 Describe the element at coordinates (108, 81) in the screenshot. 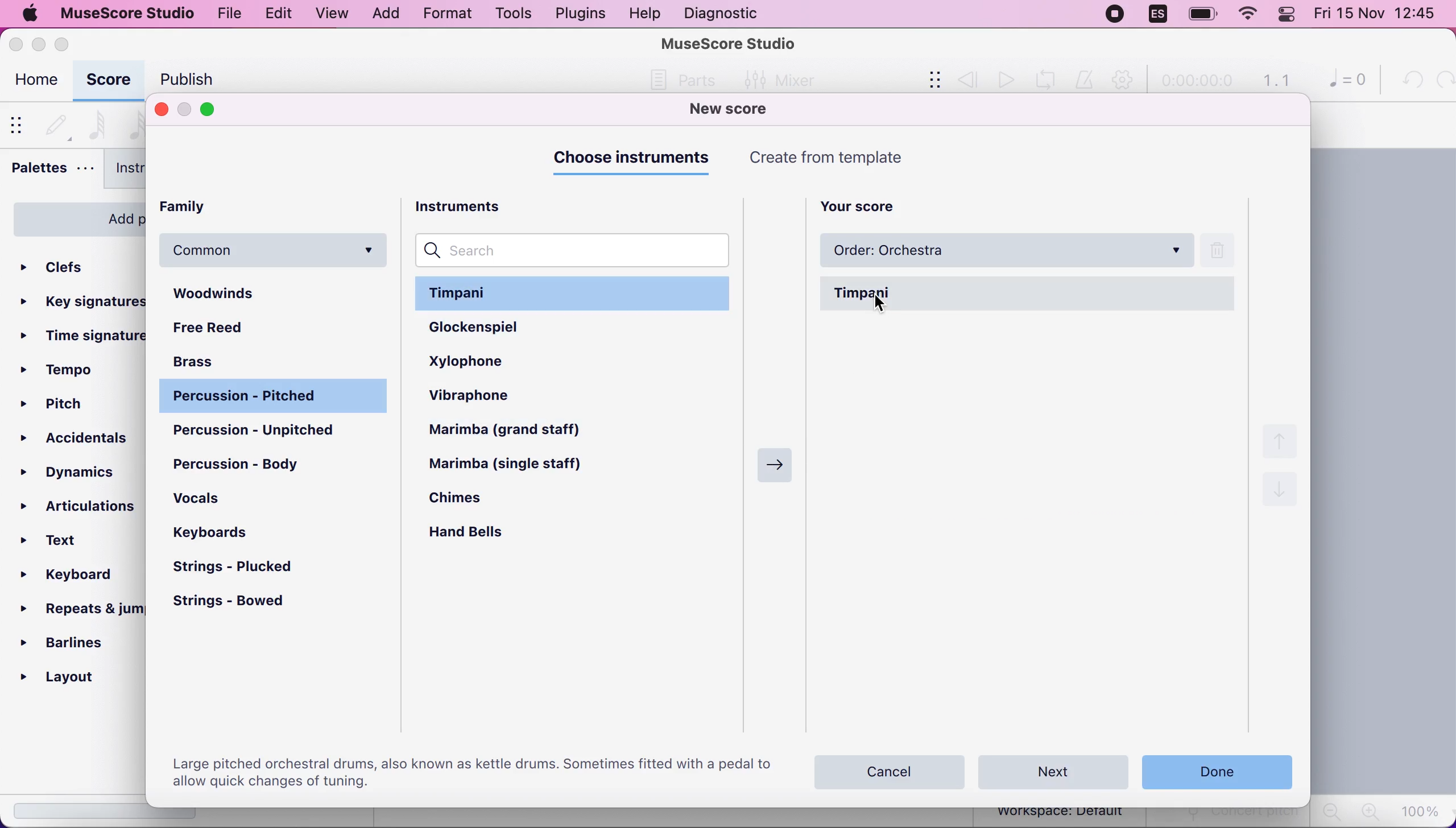

I see `score` at that location.